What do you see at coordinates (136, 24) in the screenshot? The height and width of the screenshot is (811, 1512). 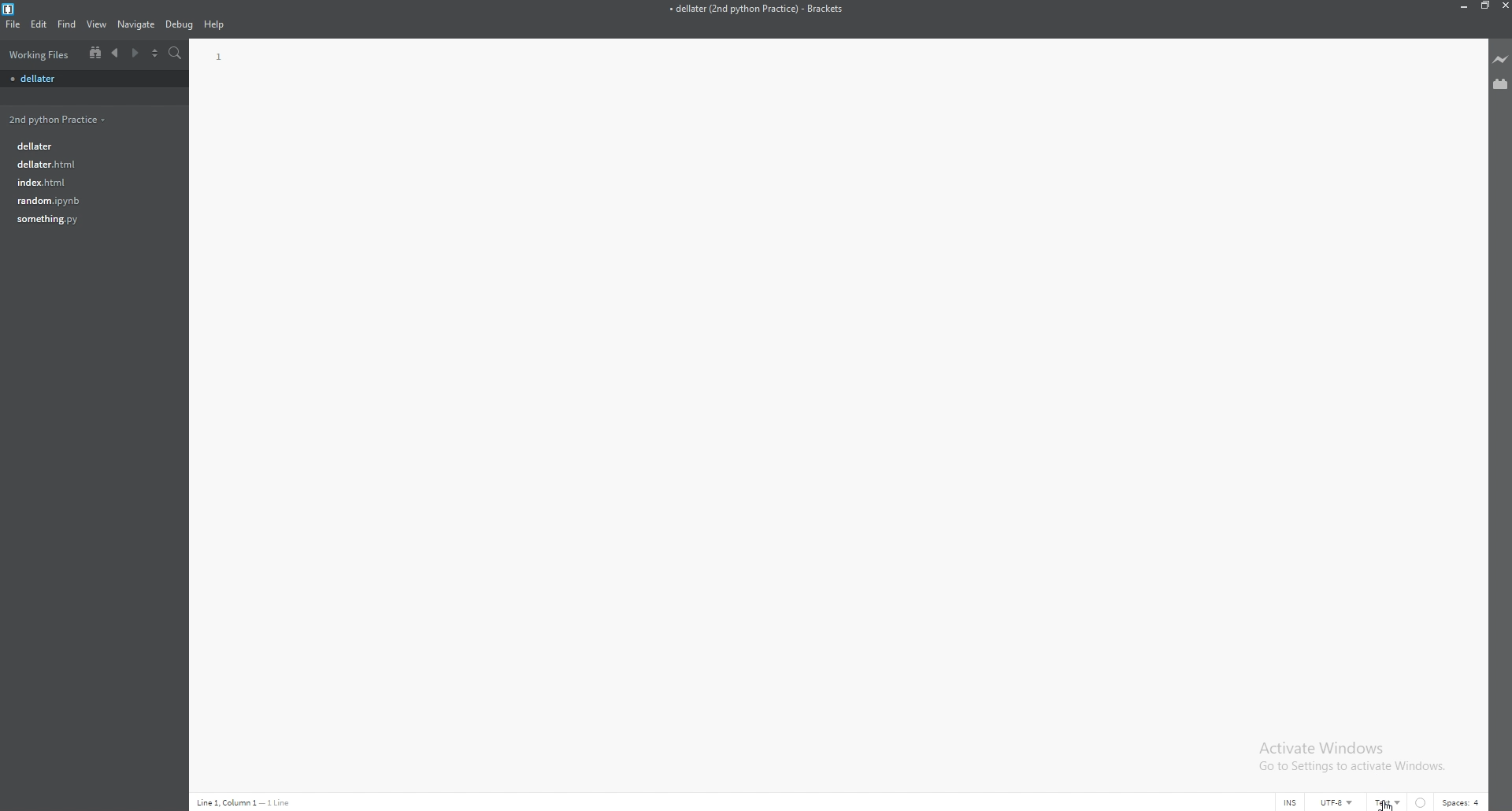 I see `navigate` at bounding box center [136, 24].